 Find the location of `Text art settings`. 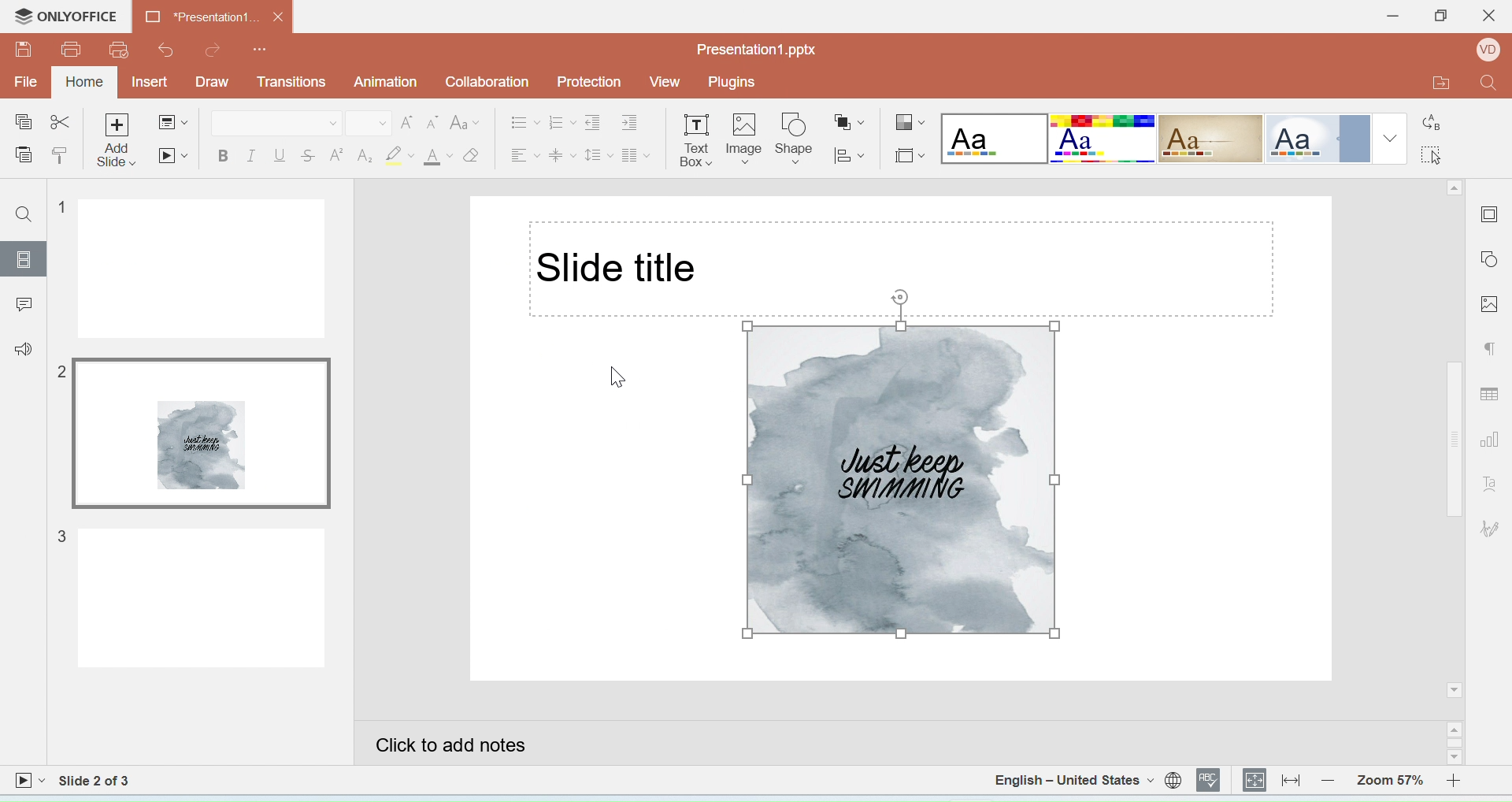

Text art settings is located at coordinates (1490, 483).